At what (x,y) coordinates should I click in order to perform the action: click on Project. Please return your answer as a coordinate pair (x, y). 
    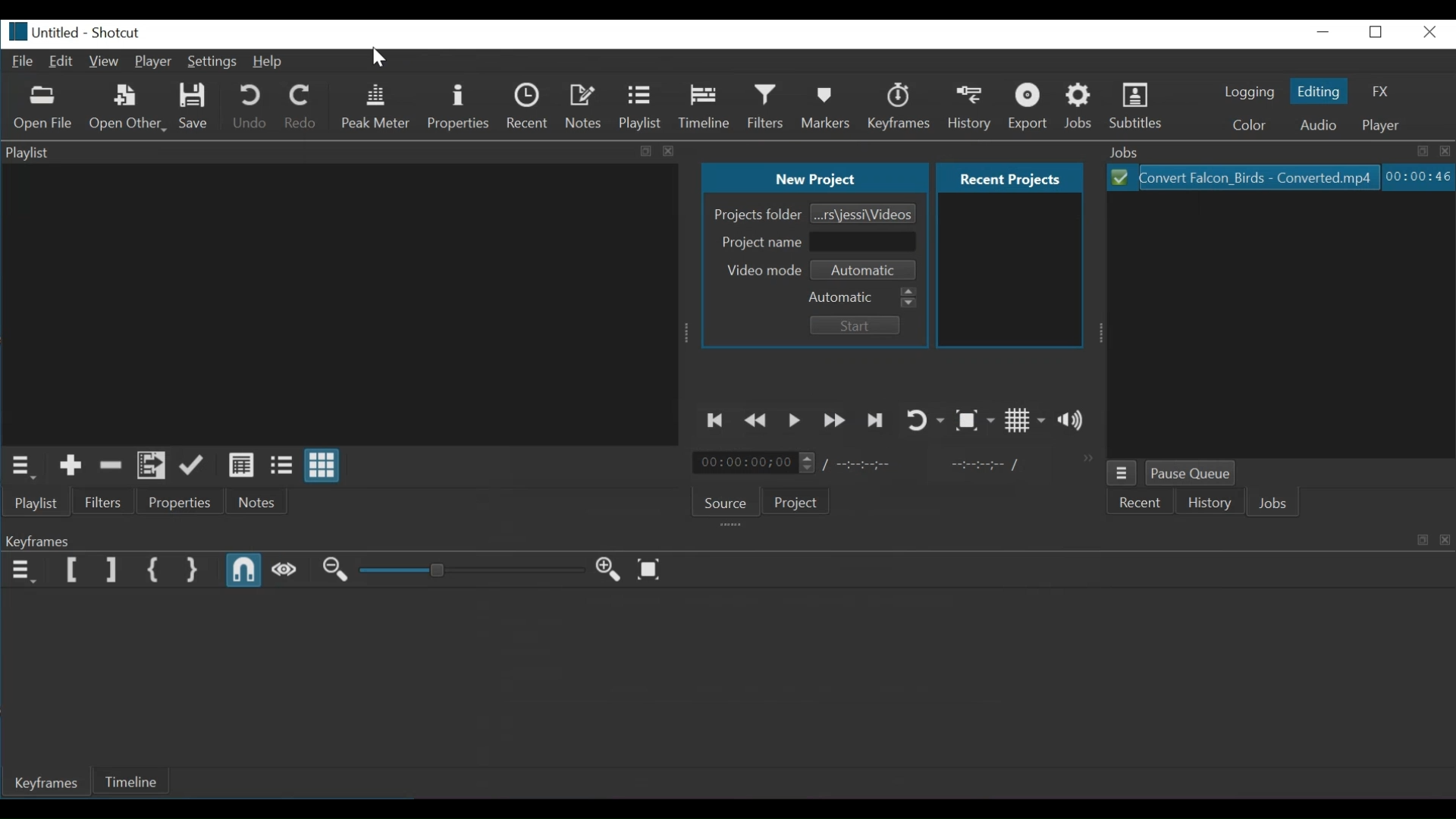
    Looking at the image, I should click on (799, 502).